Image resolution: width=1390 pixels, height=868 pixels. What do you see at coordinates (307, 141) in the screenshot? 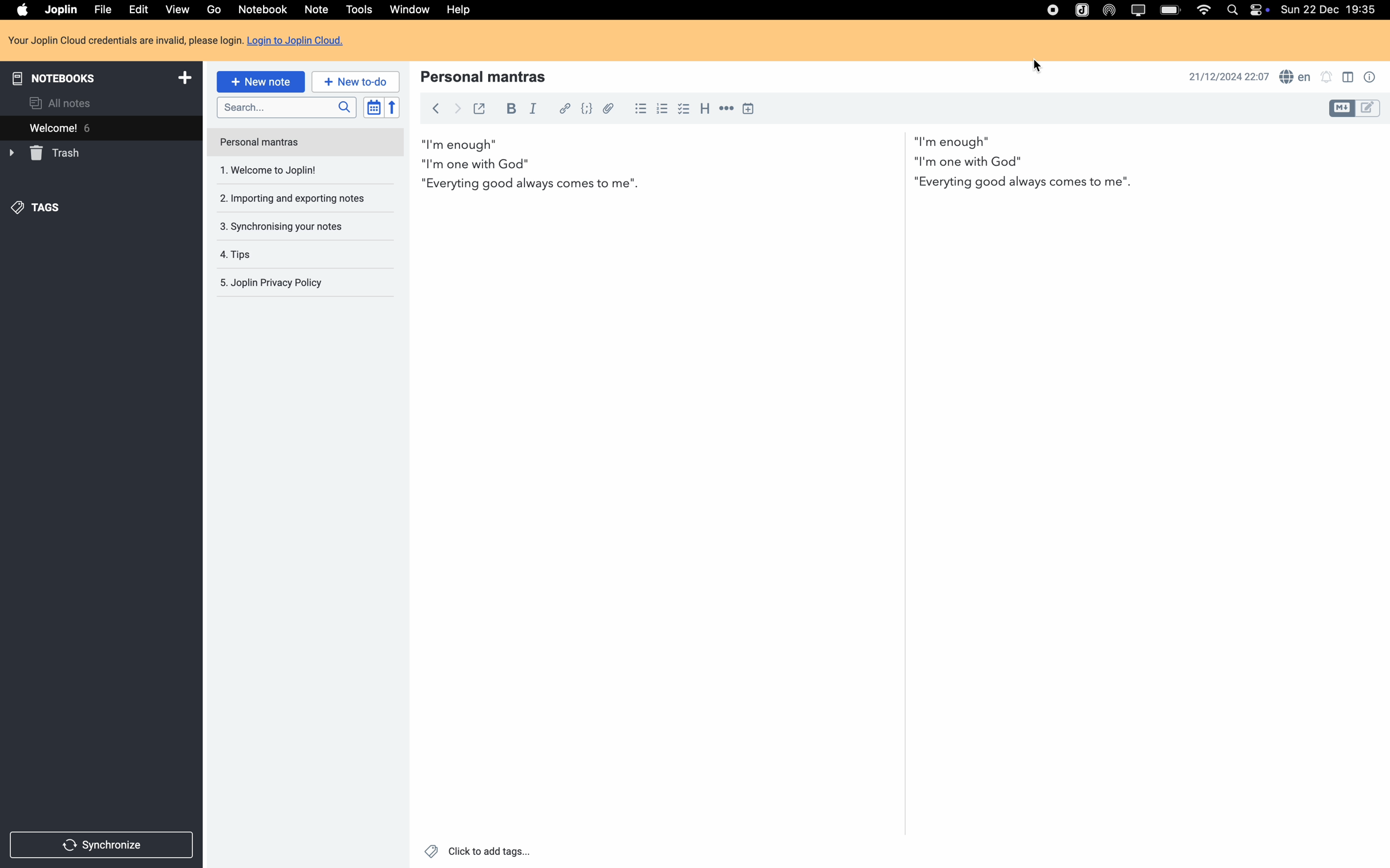
I see `personal mantras note` at bounding box center [307, 141].